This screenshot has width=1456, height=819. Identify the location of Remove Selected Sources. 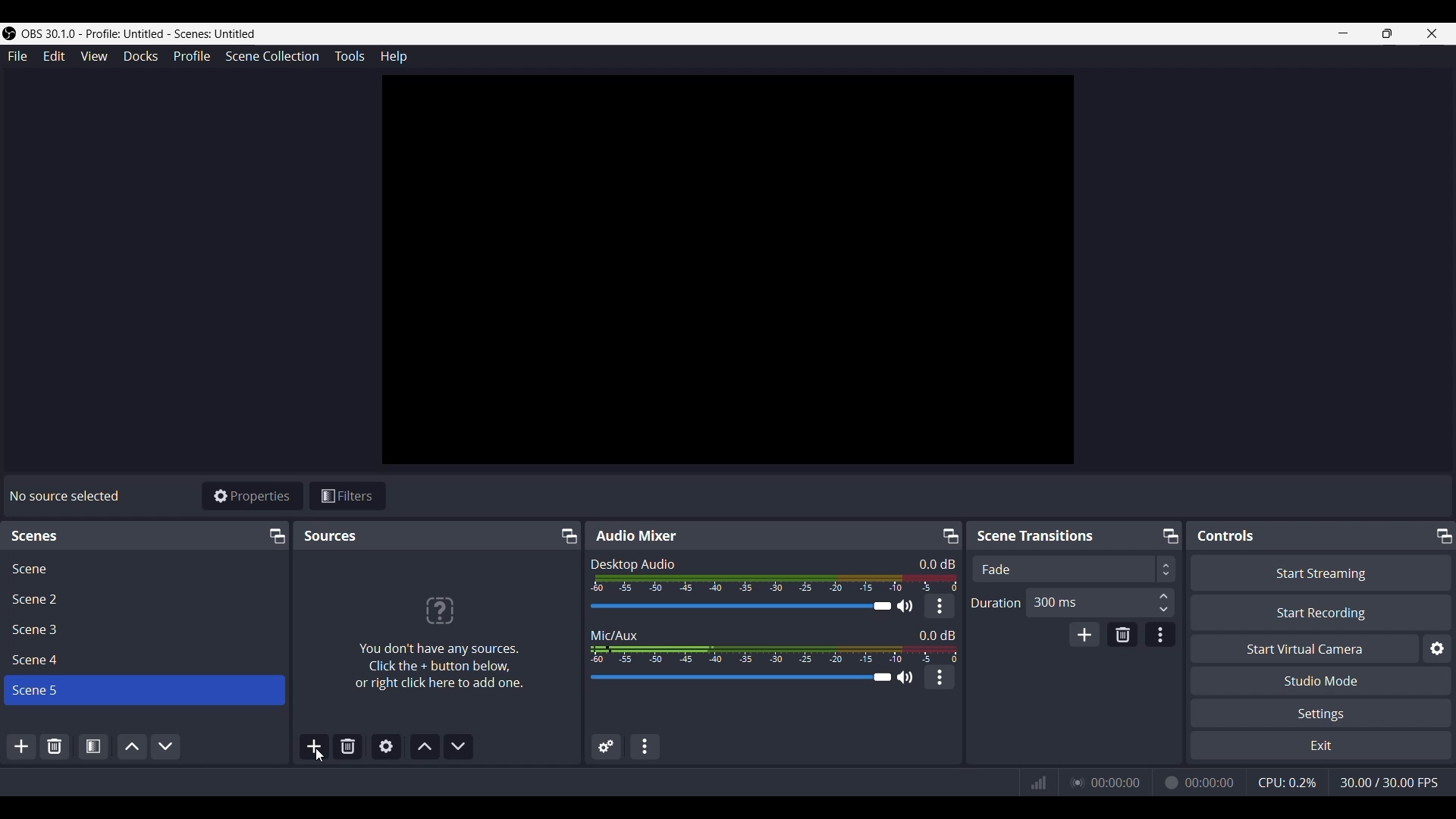
(347, 747).